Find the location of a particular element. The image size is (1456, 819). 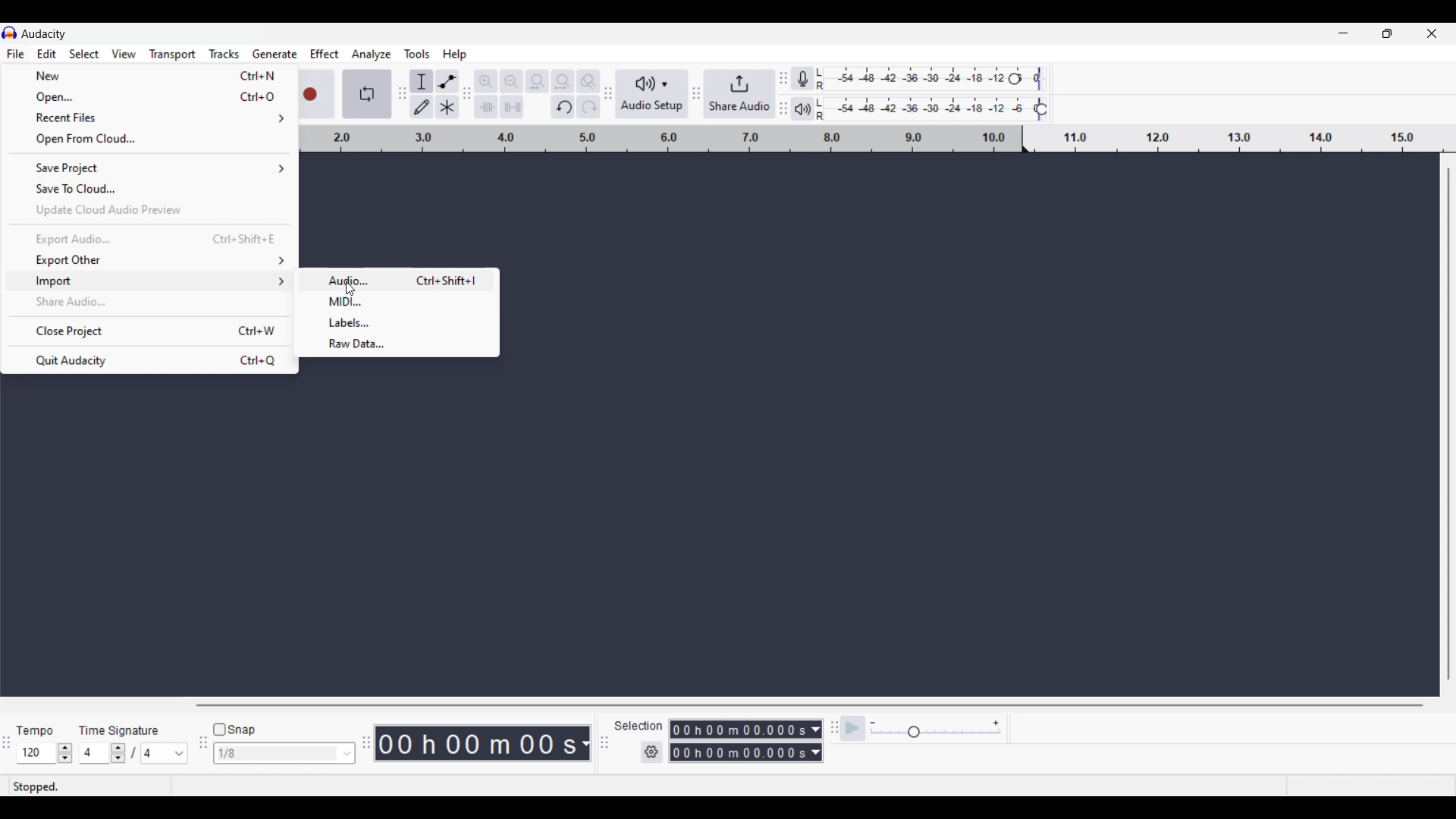

00h00m00.000s is located at coordinates (748, 727).